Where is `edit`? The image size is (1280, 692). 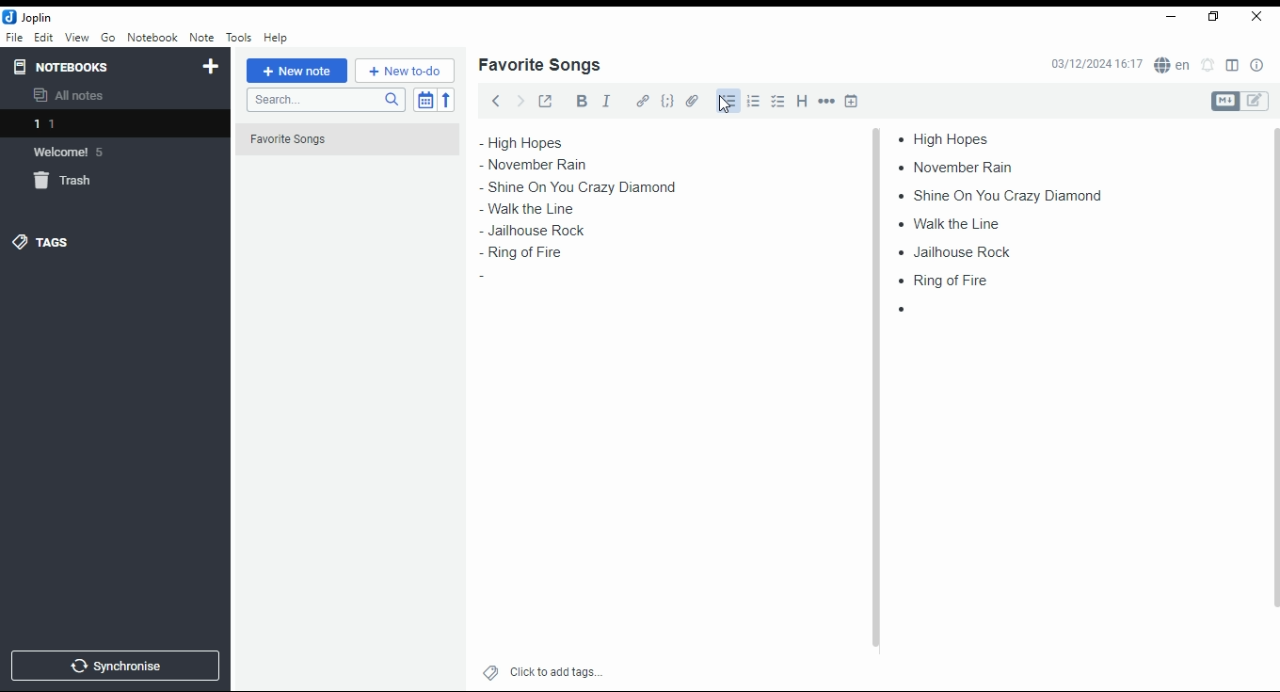
edit is located at coordinates (43, 36).